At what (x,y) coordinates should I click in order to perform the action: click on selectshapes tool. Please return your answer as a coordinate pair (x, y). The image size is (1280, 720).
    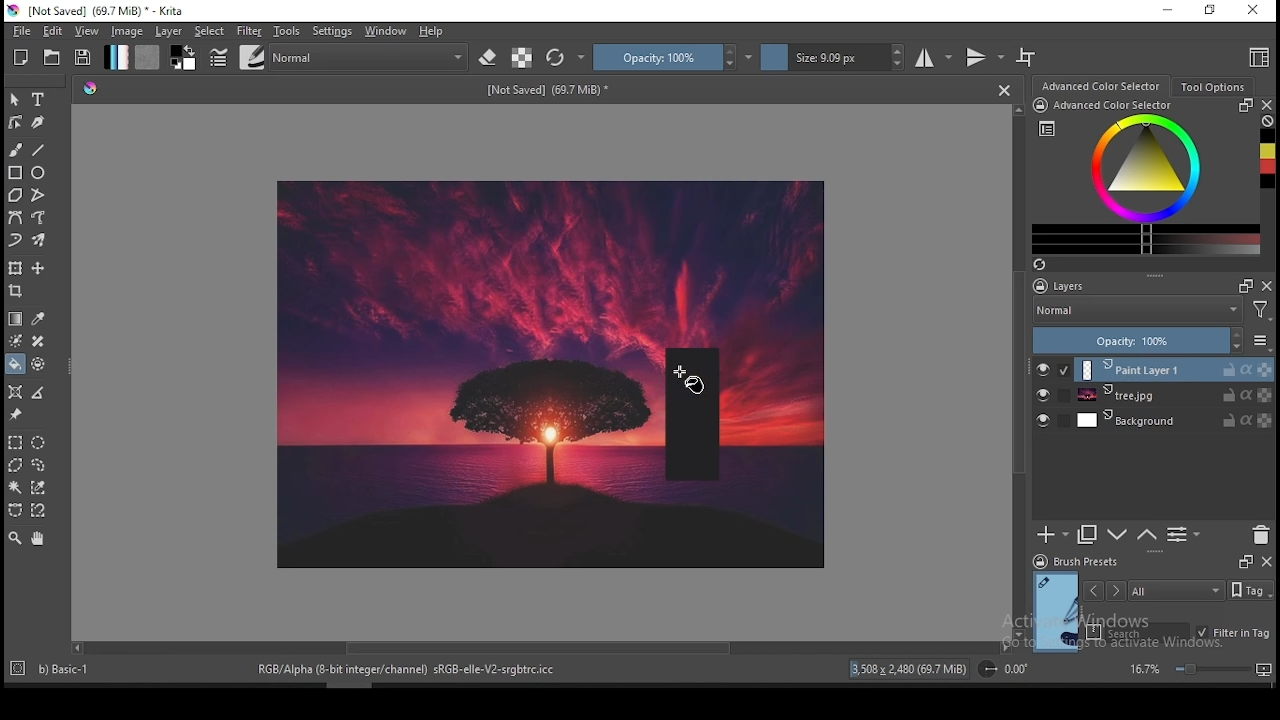
    Looking at the image, I should click on (15, 100).